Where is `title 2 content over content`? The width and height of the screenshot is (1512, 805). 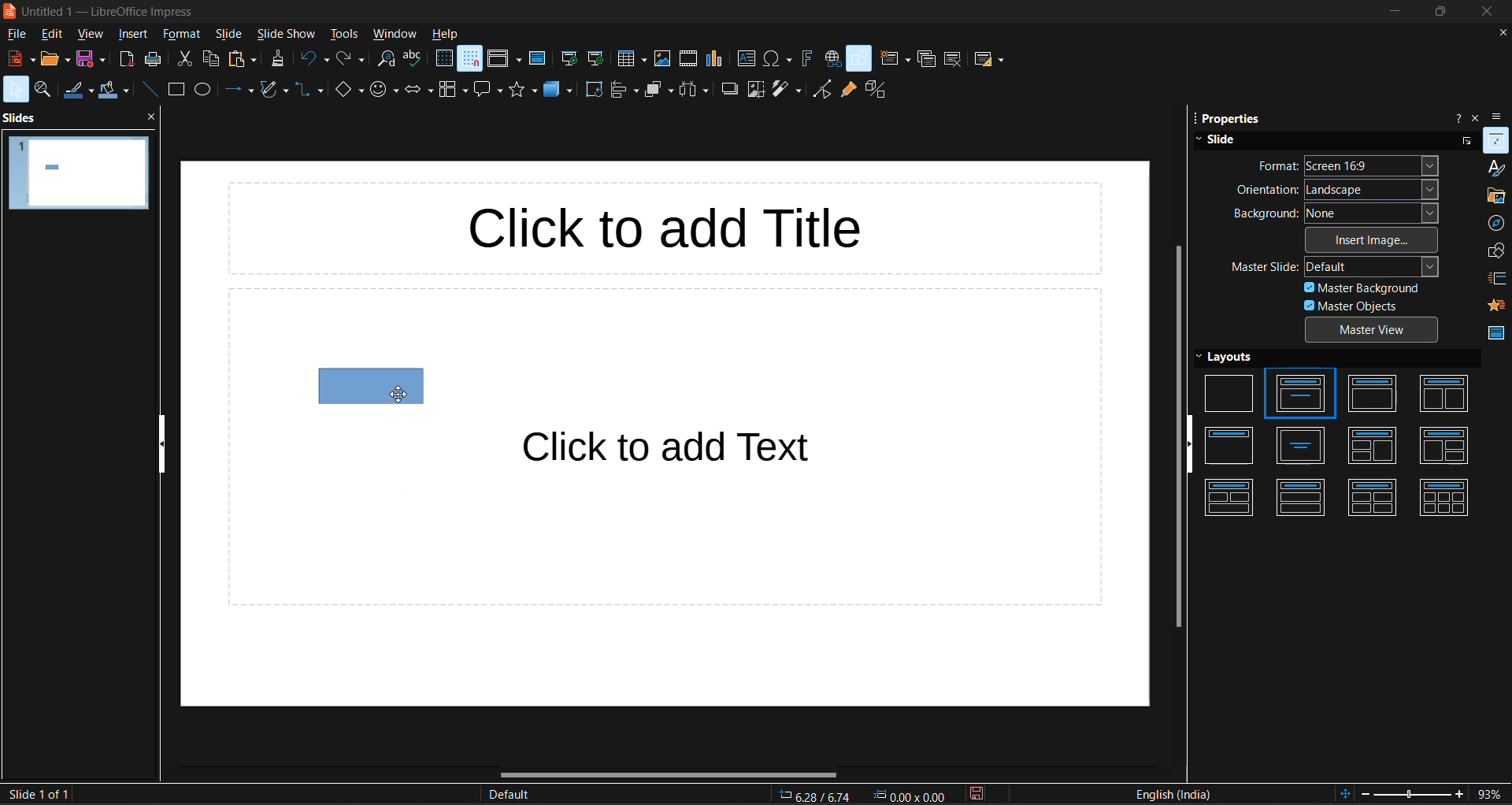
title 2 content over content is located at coordinates (1232, 499).